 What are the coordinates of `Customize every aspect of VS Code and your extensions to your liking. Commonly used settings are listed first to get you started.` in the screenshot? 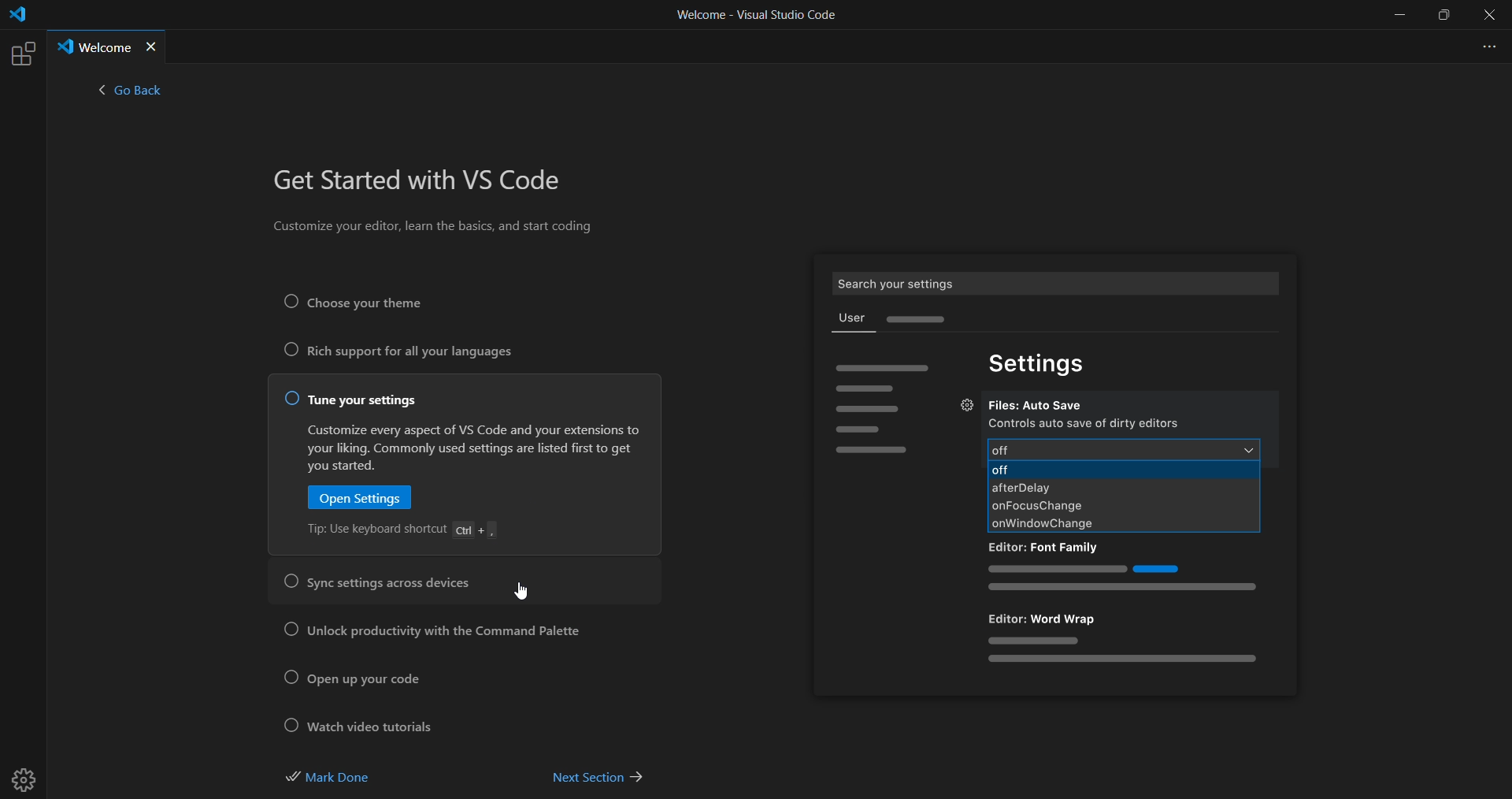 It's located at (474, 449).